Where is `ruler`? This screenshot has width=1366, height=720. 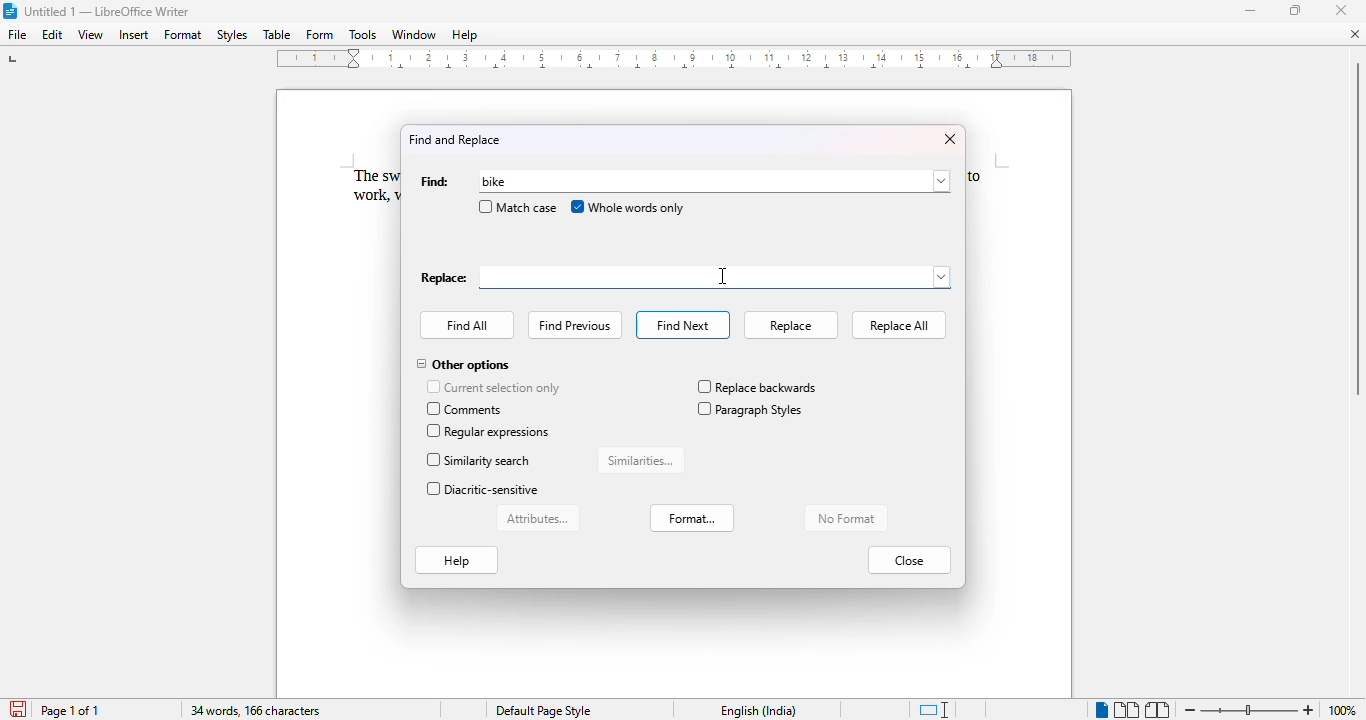
ruler is located at coordinates (675, 59).